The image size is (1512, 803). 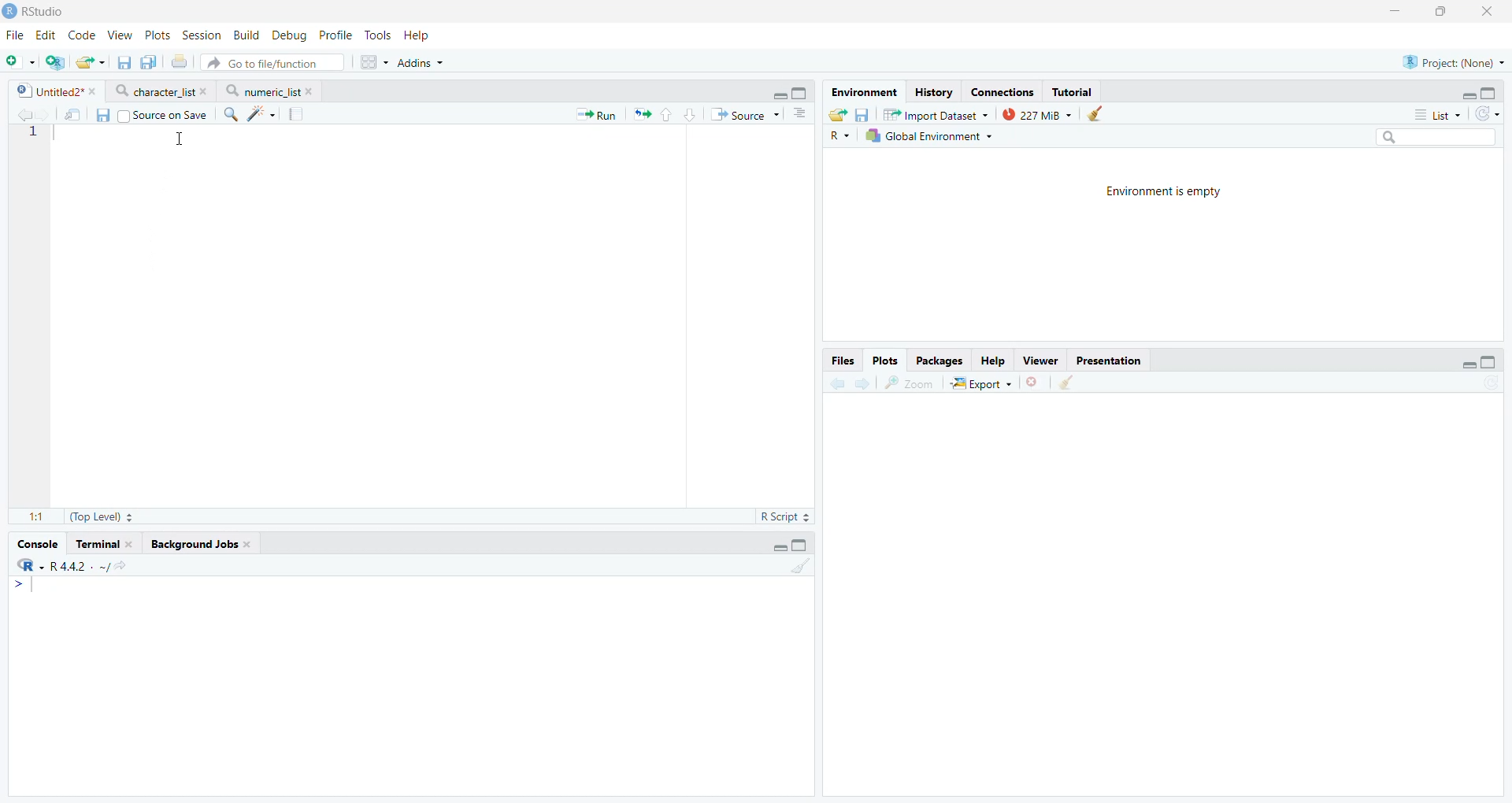 What do you see at coordinates (1437, 113) in the screenshot?
I see `List` at bounding box center [1437, 113].